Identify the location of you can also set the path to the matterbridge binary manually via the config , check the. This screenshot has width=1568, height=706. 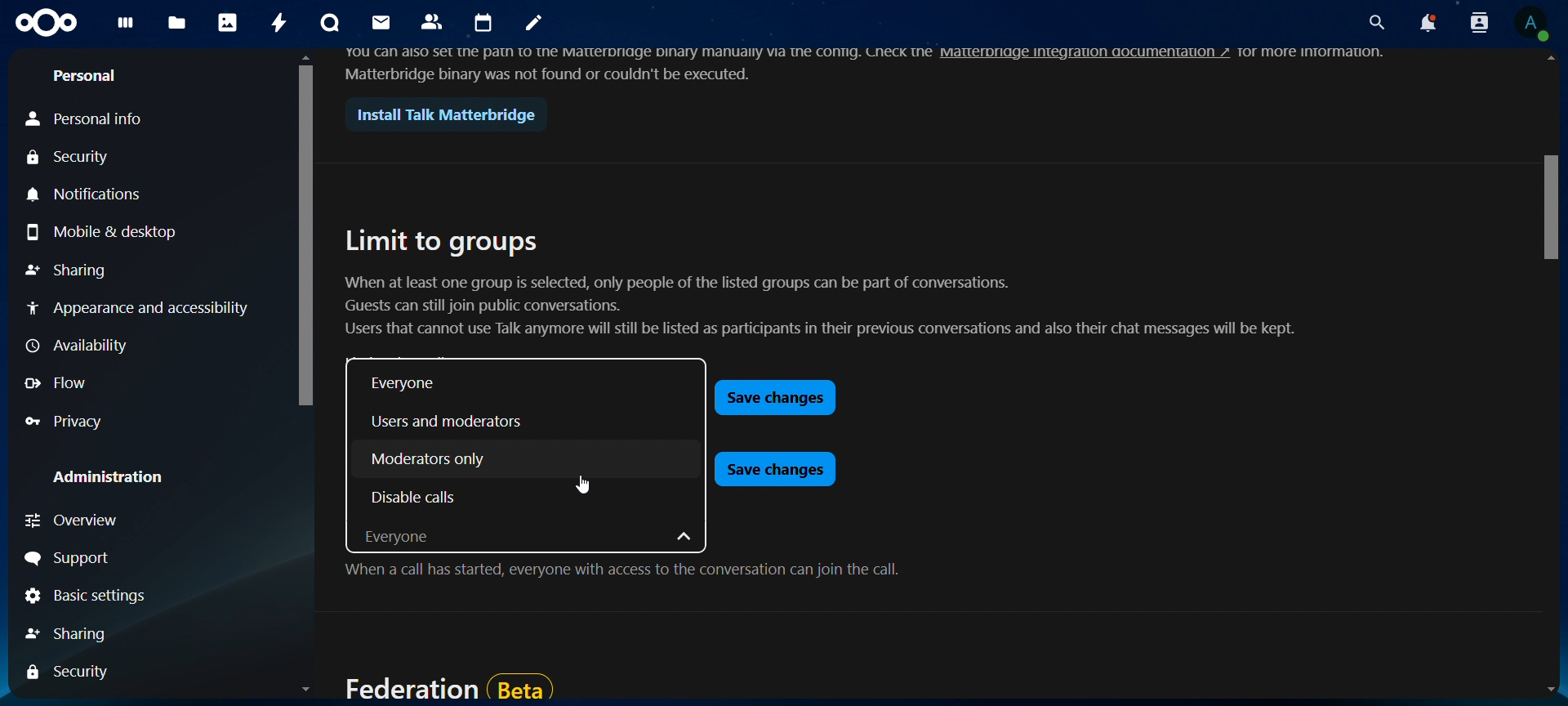
(629, 54).